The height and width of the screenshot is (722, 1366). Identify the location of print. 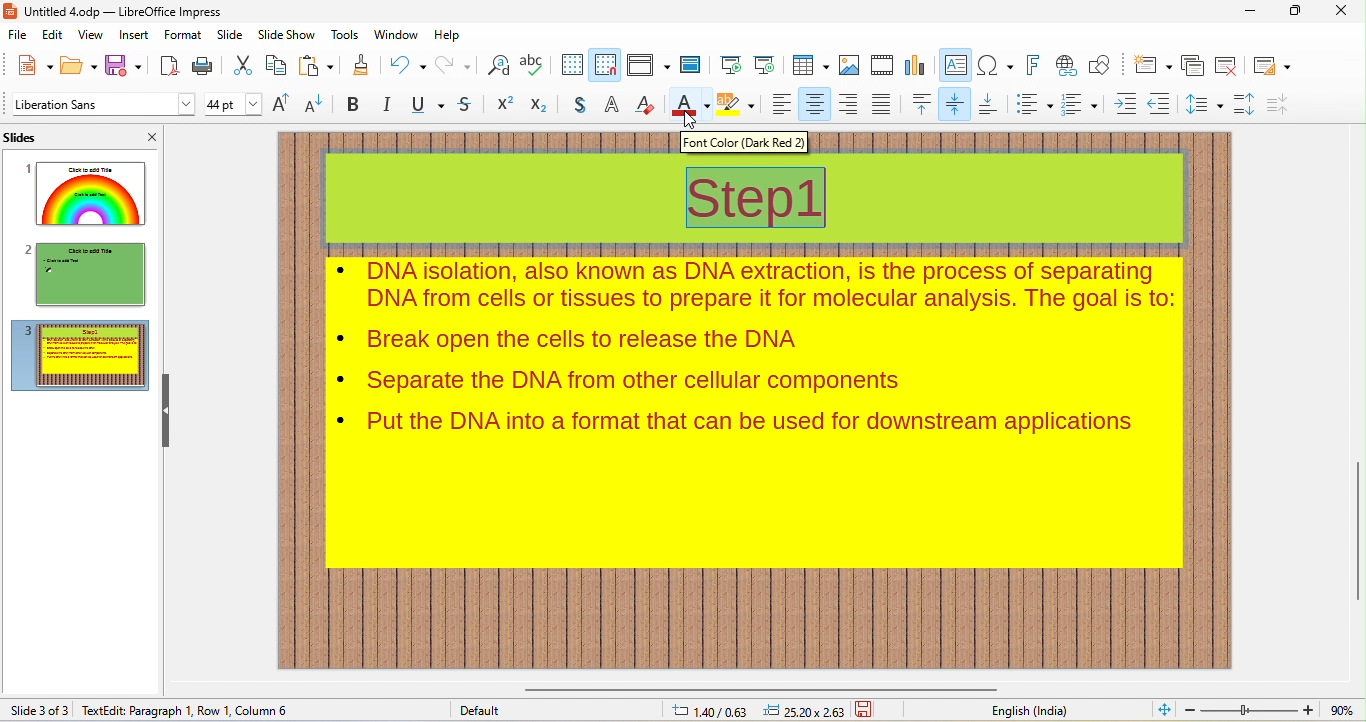
(205, 67).